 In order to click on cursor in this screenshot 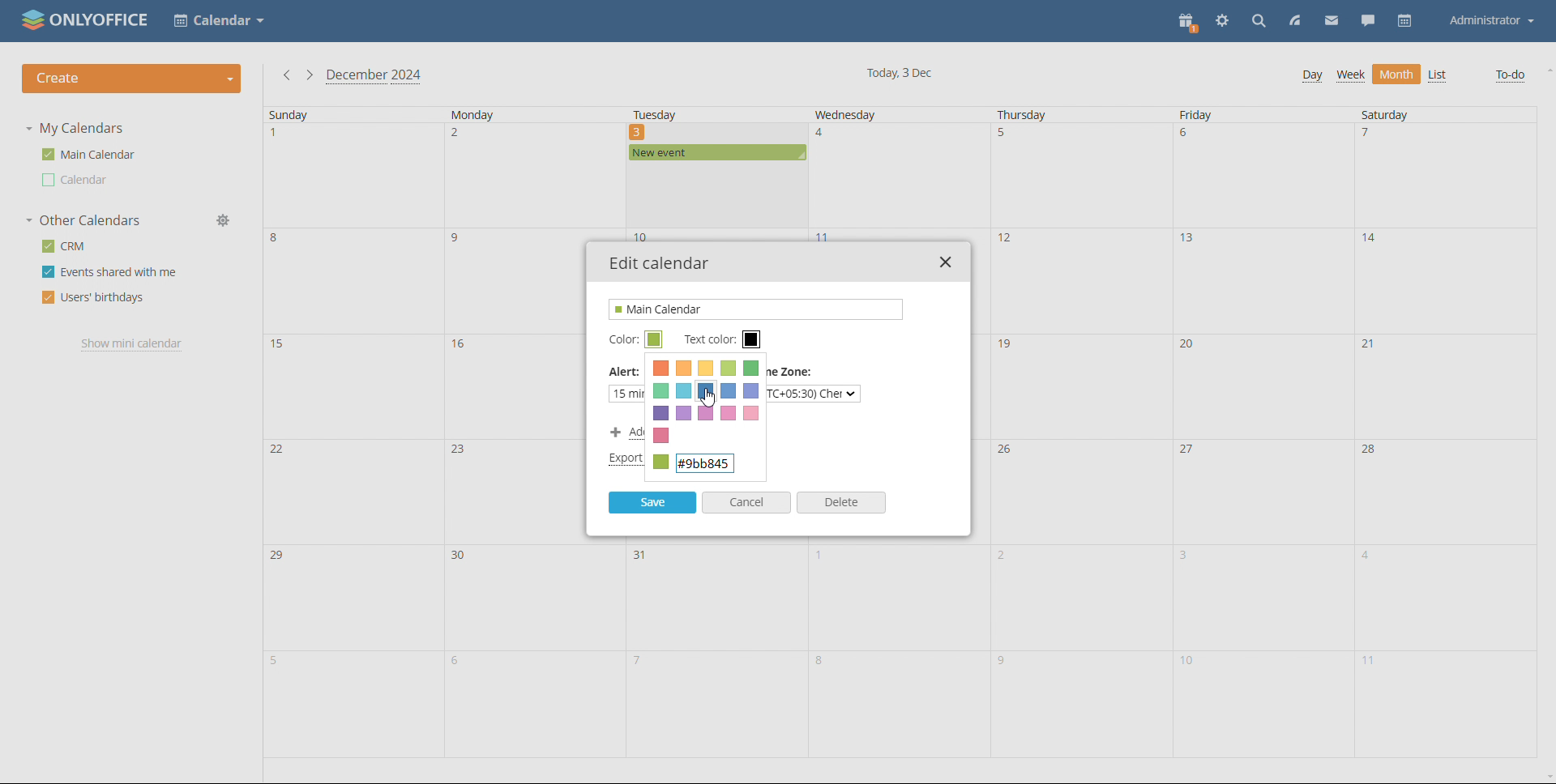, I will do `click(712, 397)`.